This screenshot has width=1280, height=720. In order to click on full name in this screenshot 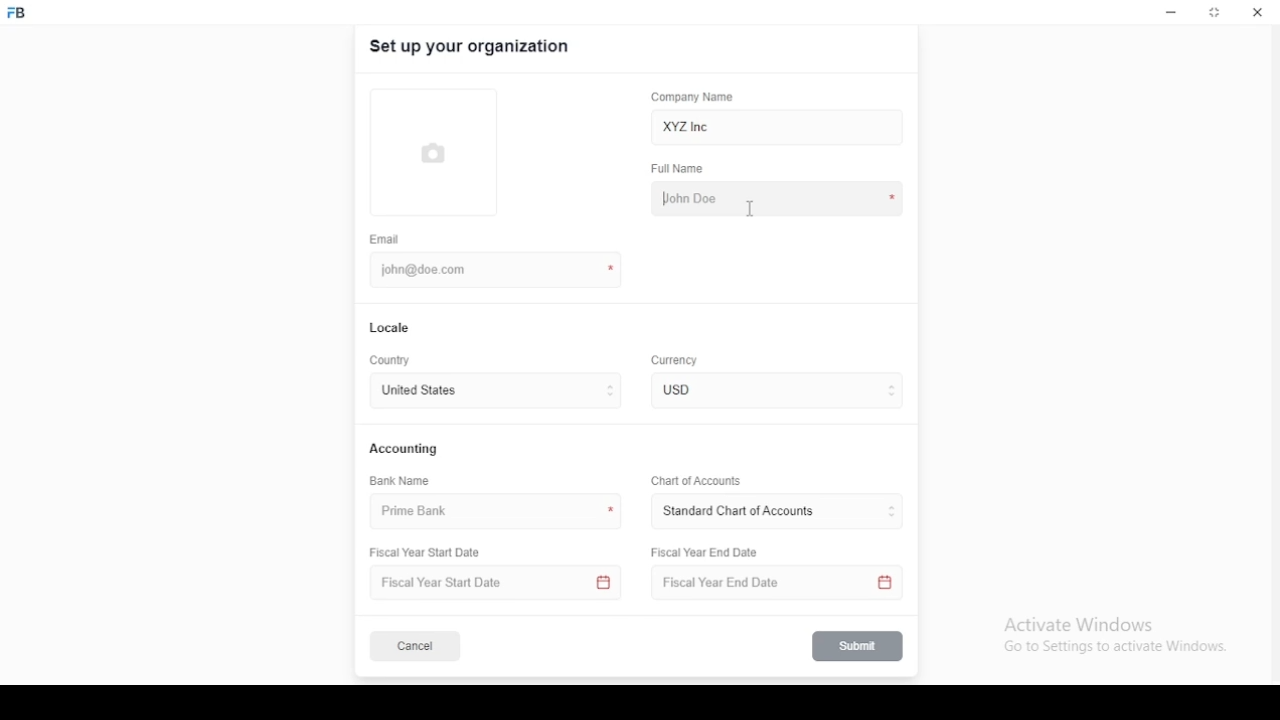, I will do `click(683, 169)`.